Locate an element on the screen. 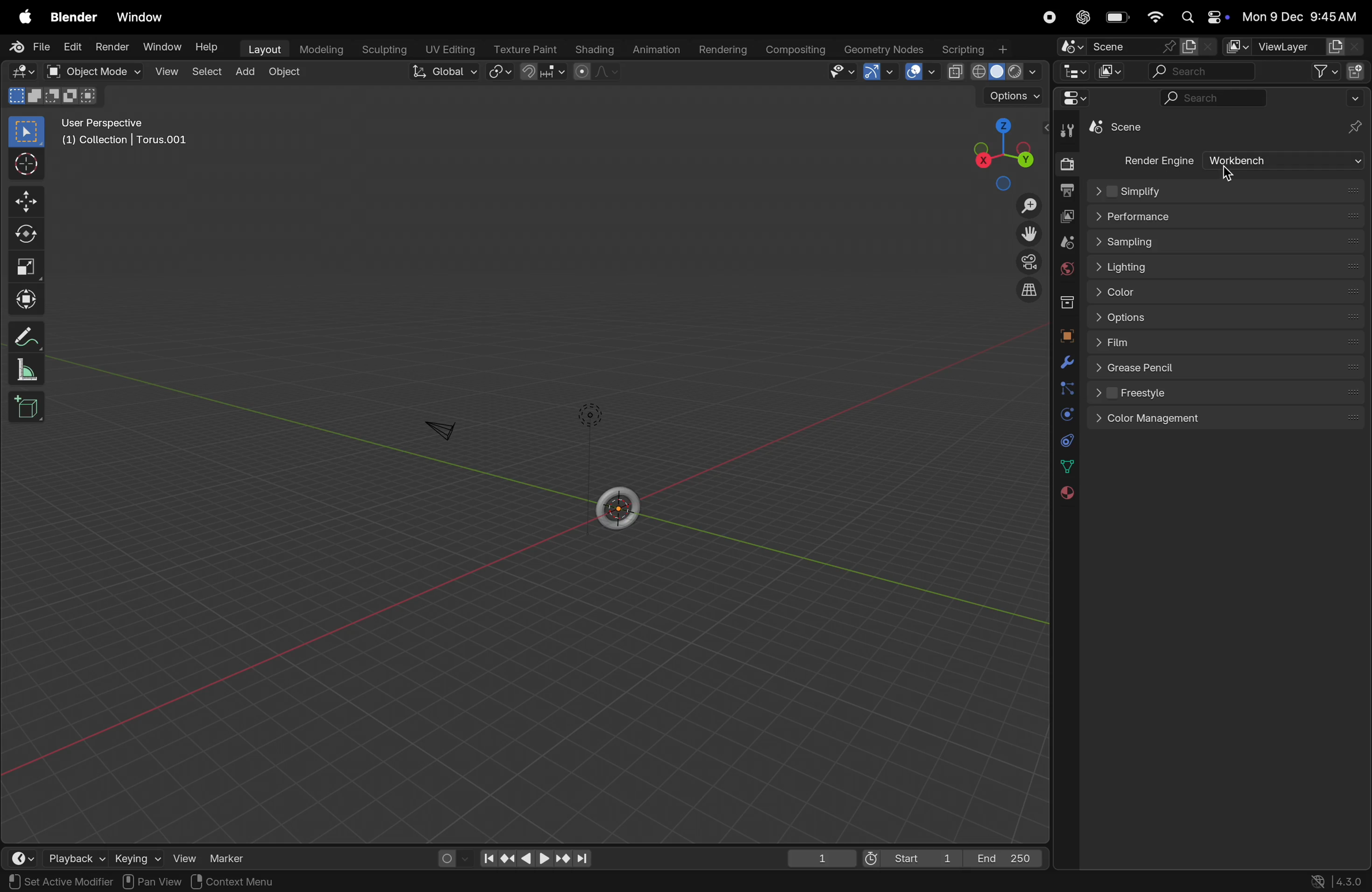 This screenshot has width=1372, height=892. material is located at coordinates (1071, 494).